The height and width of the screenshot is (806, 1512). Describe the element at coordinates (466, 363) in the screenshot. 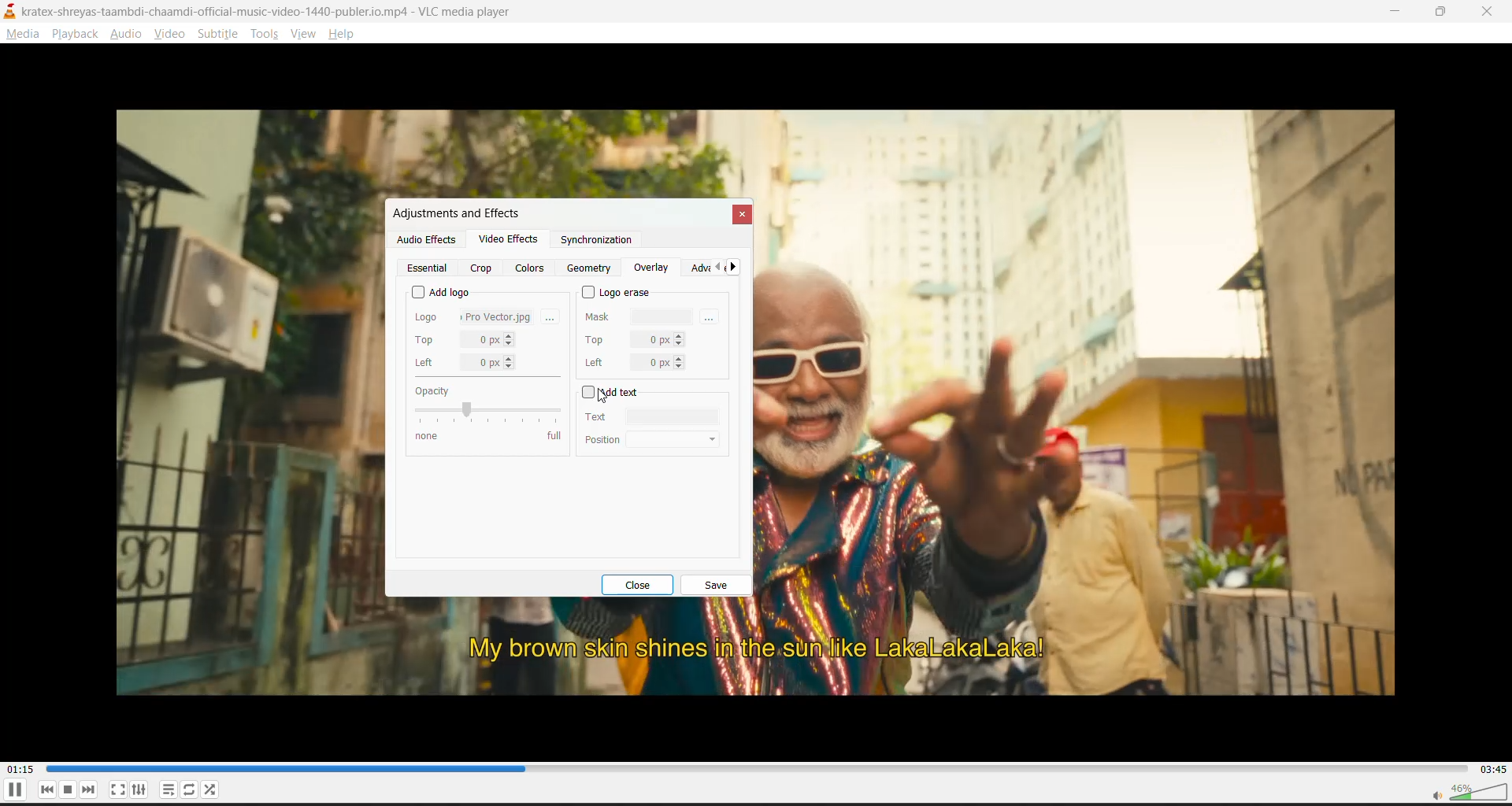

I see `left` at that location.